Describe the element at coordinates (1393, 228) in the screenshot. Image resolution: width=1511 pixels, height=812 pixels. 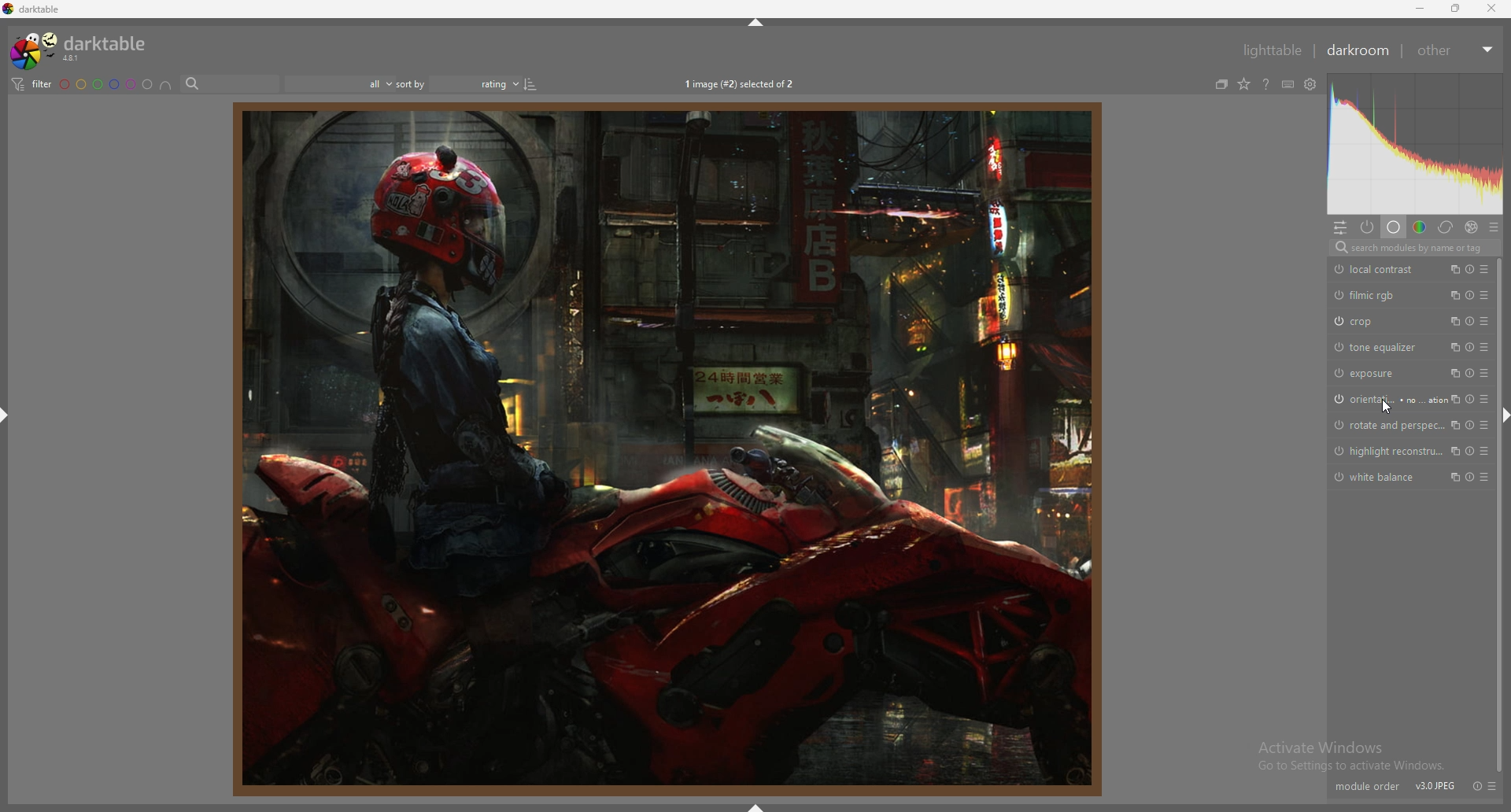
I see `base` at that location.